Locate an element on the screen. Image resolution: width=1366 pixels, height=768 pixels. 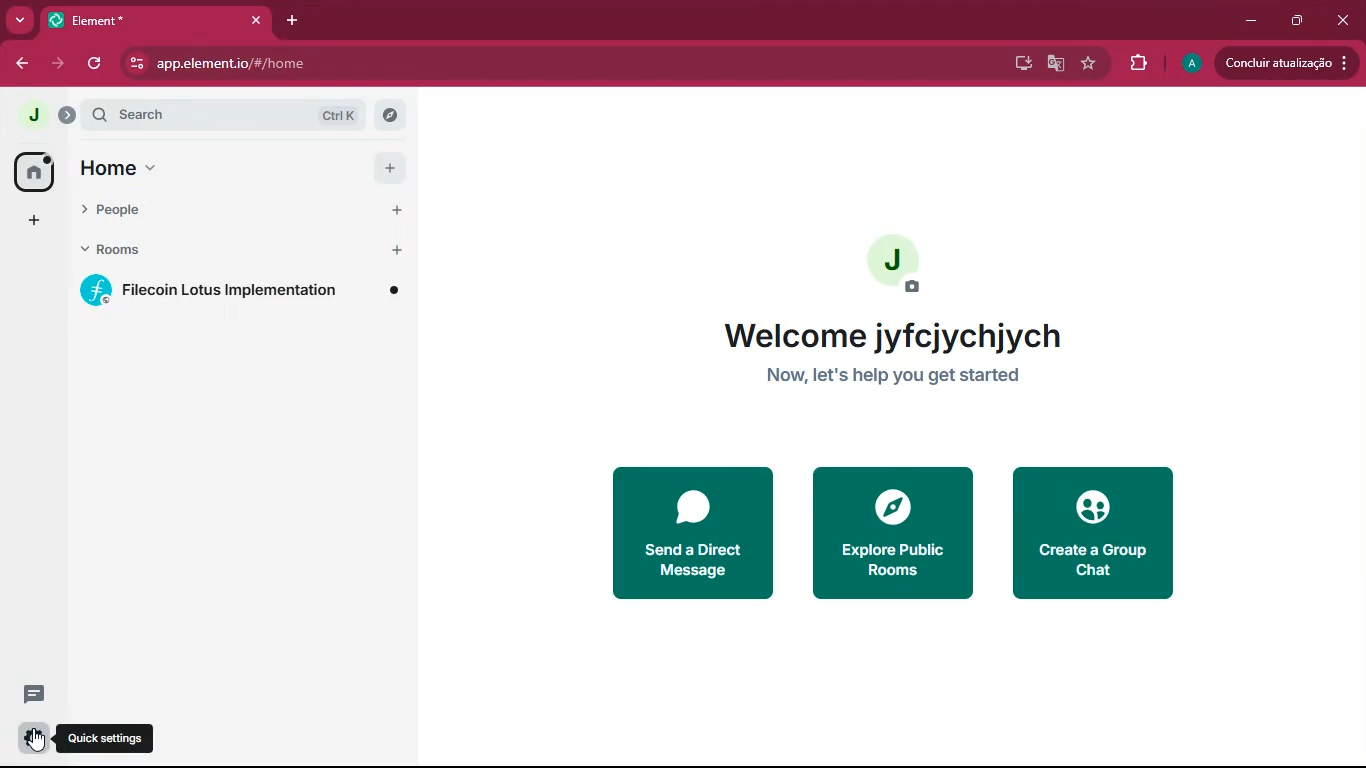
people is located at coordinates (203, 212).